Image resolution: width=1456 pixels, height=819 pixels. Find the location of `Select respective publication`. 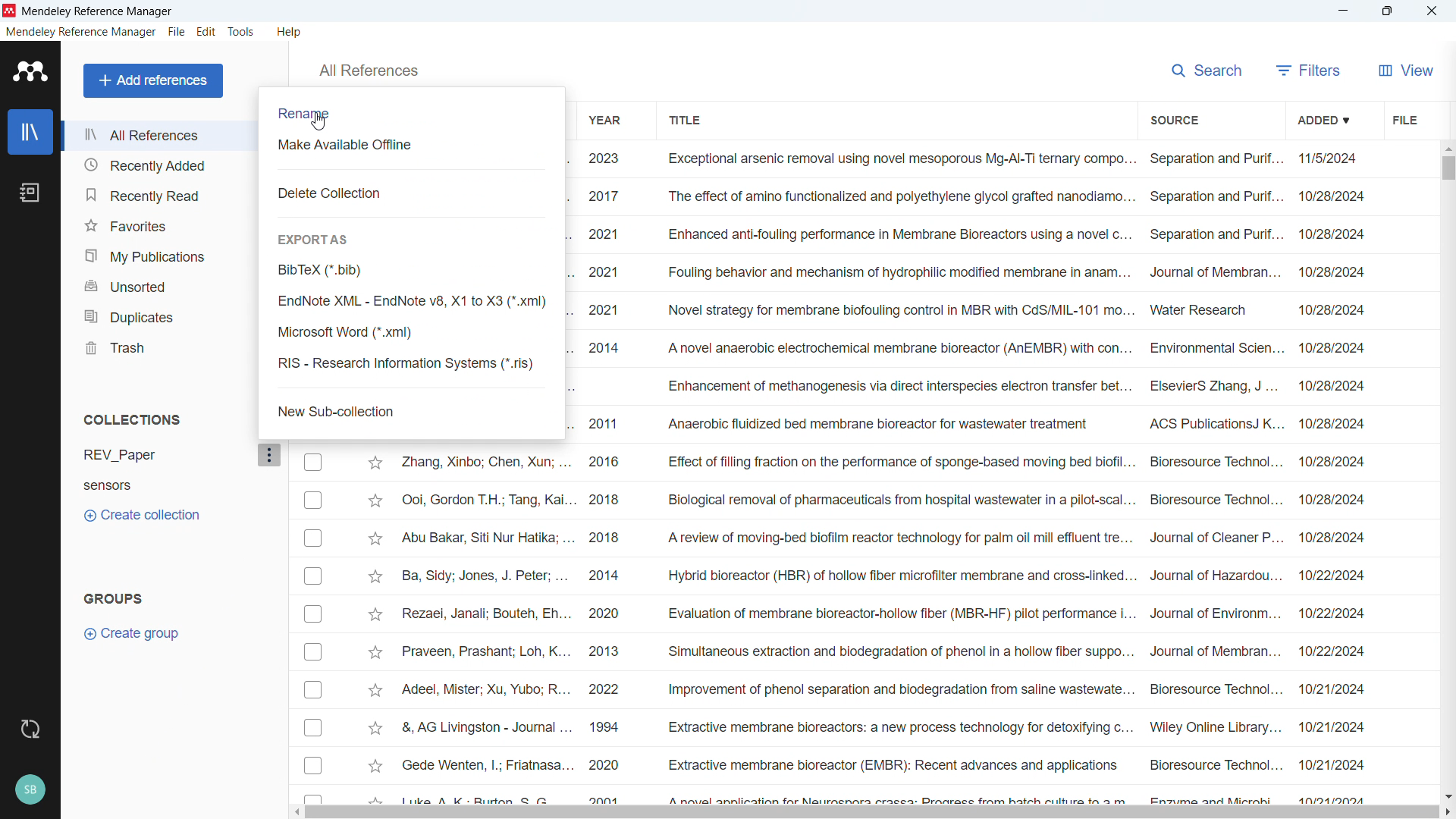

Select respective publication is located at coordinates (313, 462).